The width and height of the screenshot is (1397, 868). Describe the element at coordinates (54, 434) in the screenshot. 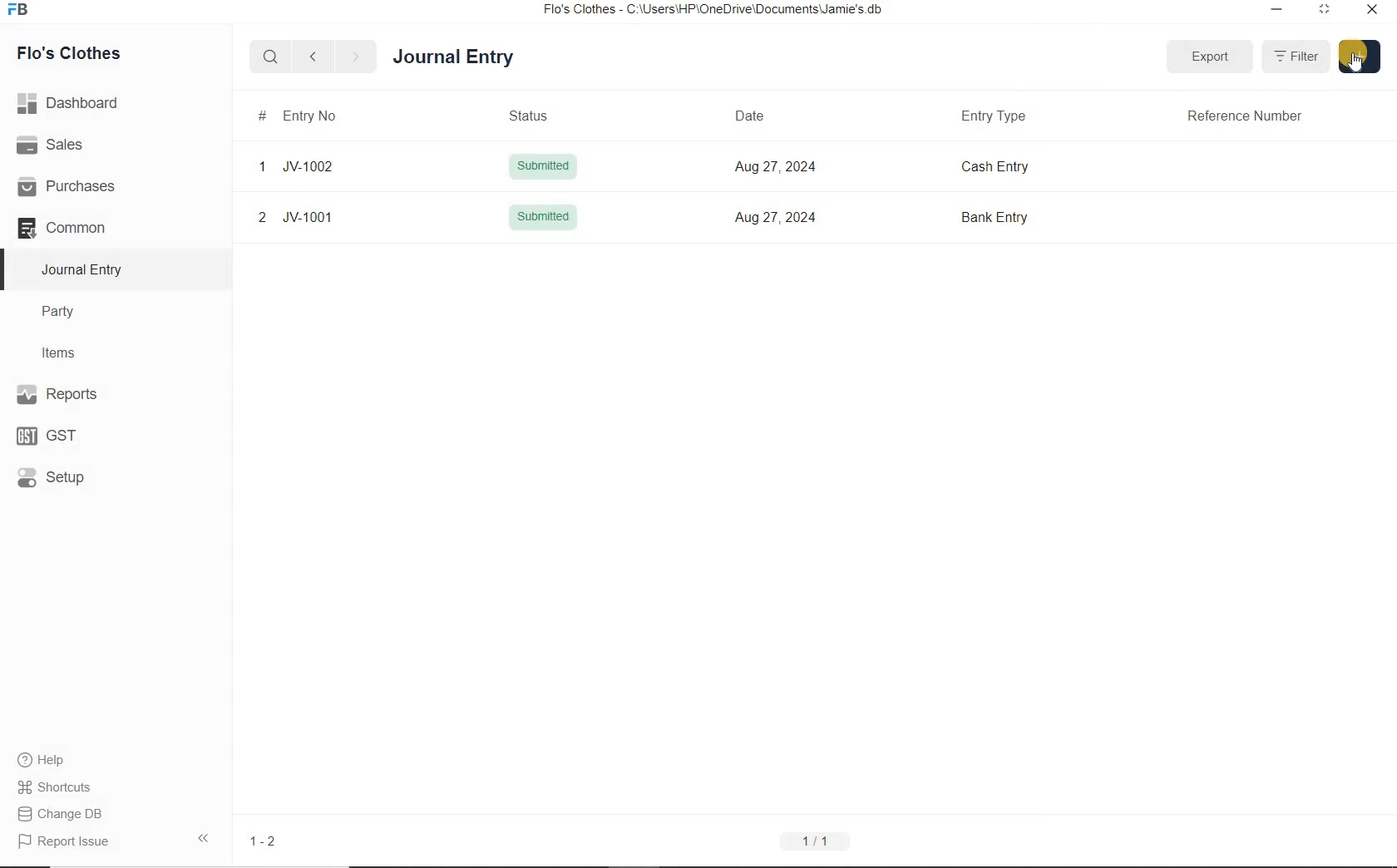

I see `GST` at that location.